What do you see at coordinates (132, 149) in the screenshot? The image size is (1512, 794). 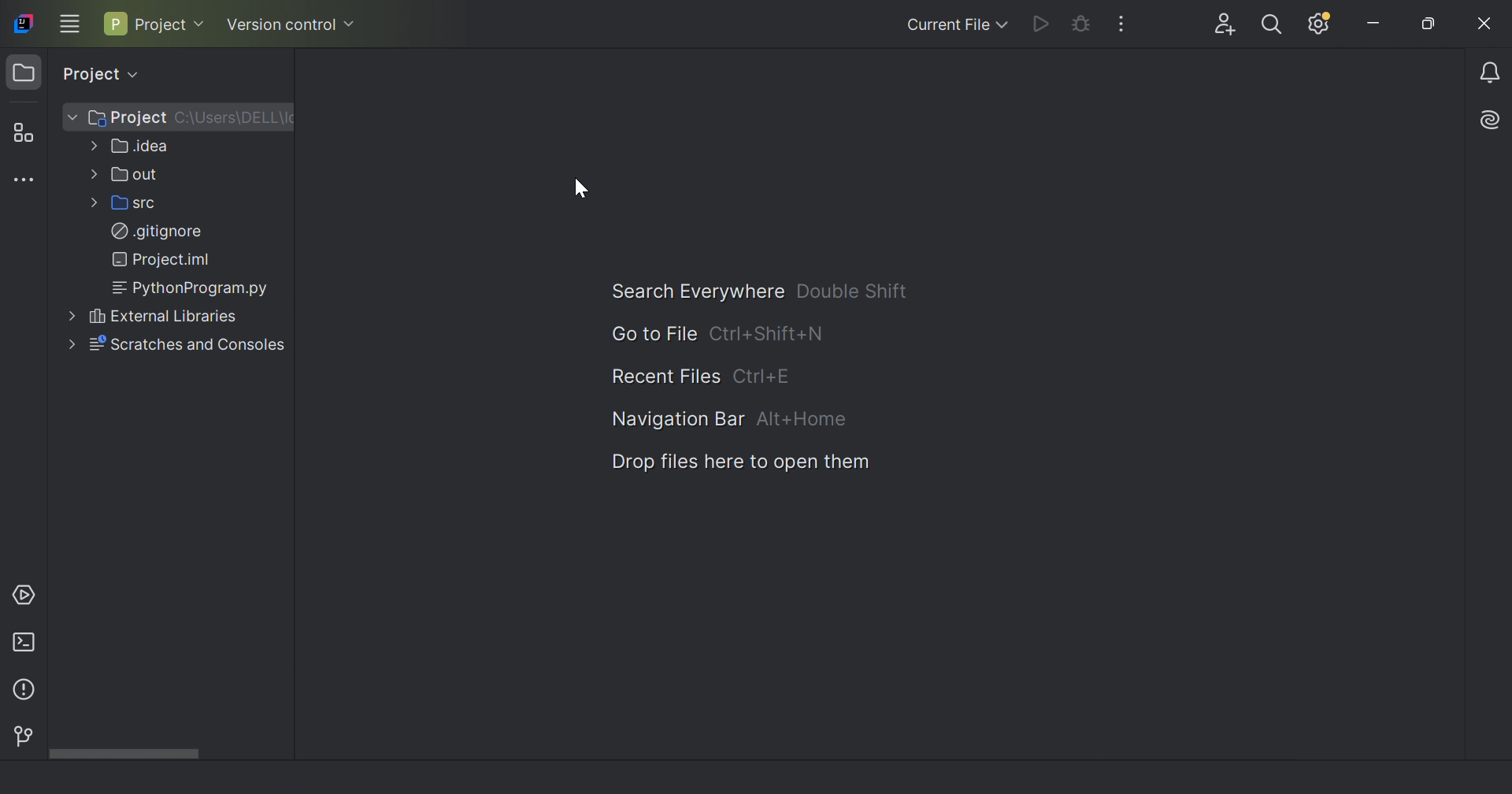 I see `.idea` at bounding box center [132, 149].